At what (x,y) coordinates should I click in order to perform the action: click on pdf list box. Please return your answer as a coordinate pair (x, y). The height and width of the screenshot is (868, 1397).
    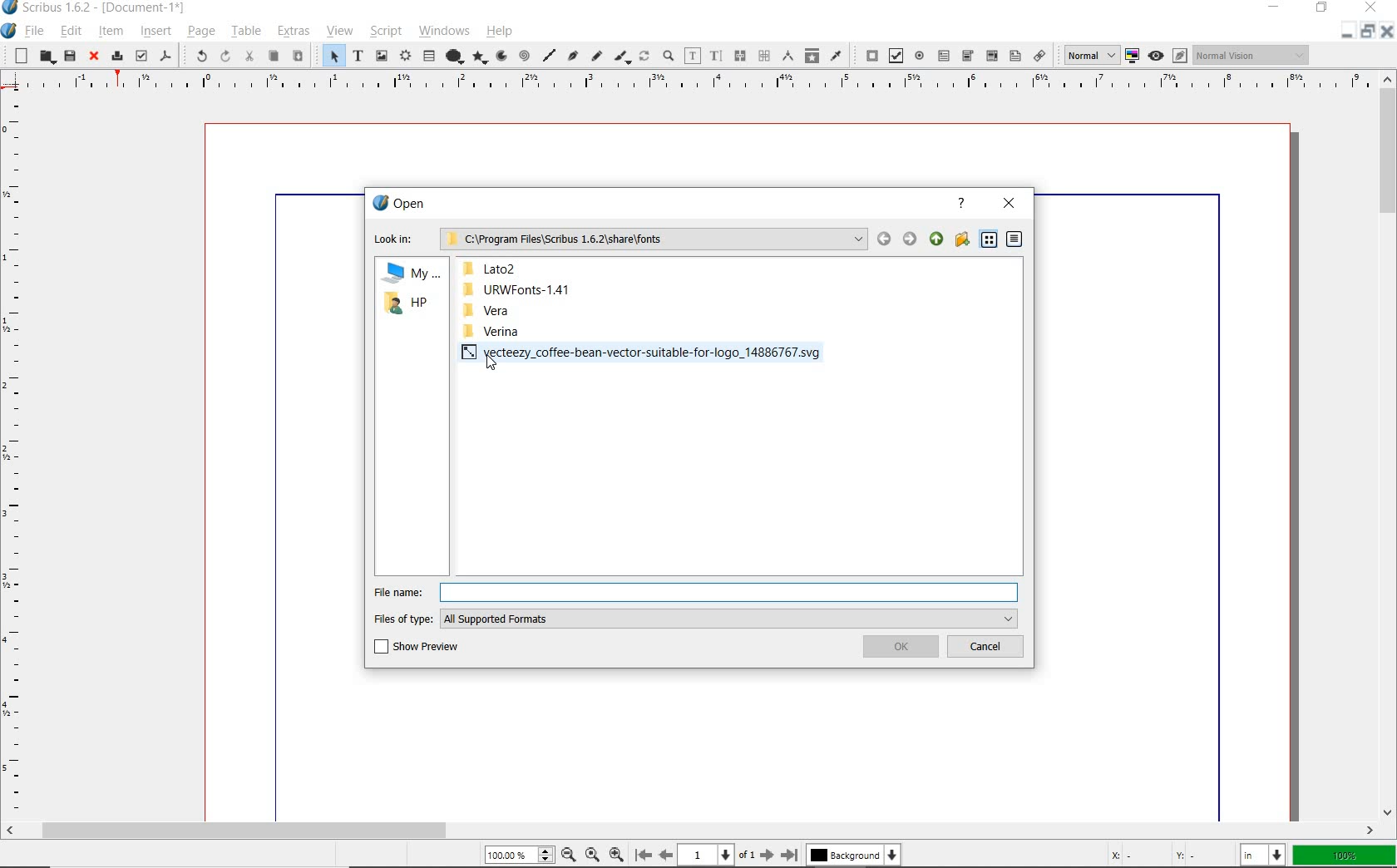
    Looking at the image, I should click on (1014, 57).